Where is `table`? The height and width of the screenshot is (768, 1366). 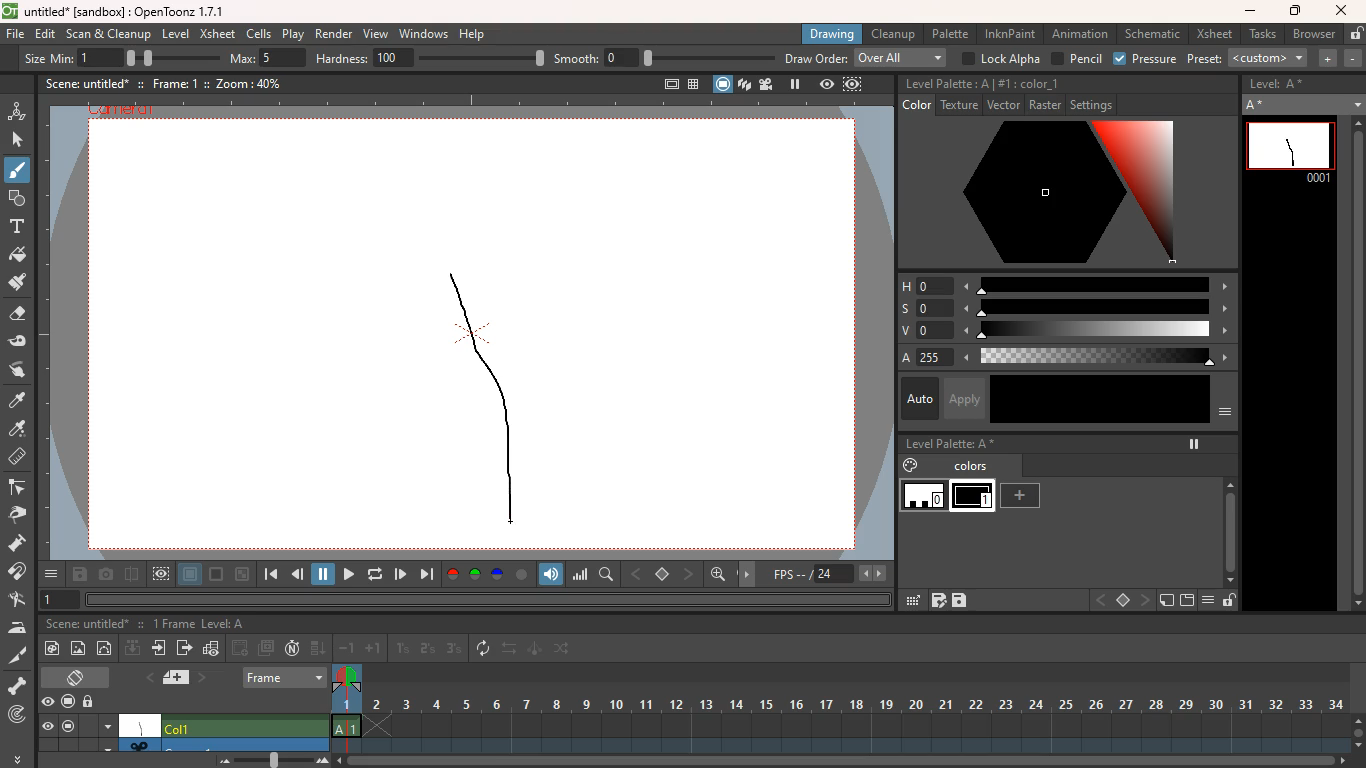 table is located at coordinates (692, 83).